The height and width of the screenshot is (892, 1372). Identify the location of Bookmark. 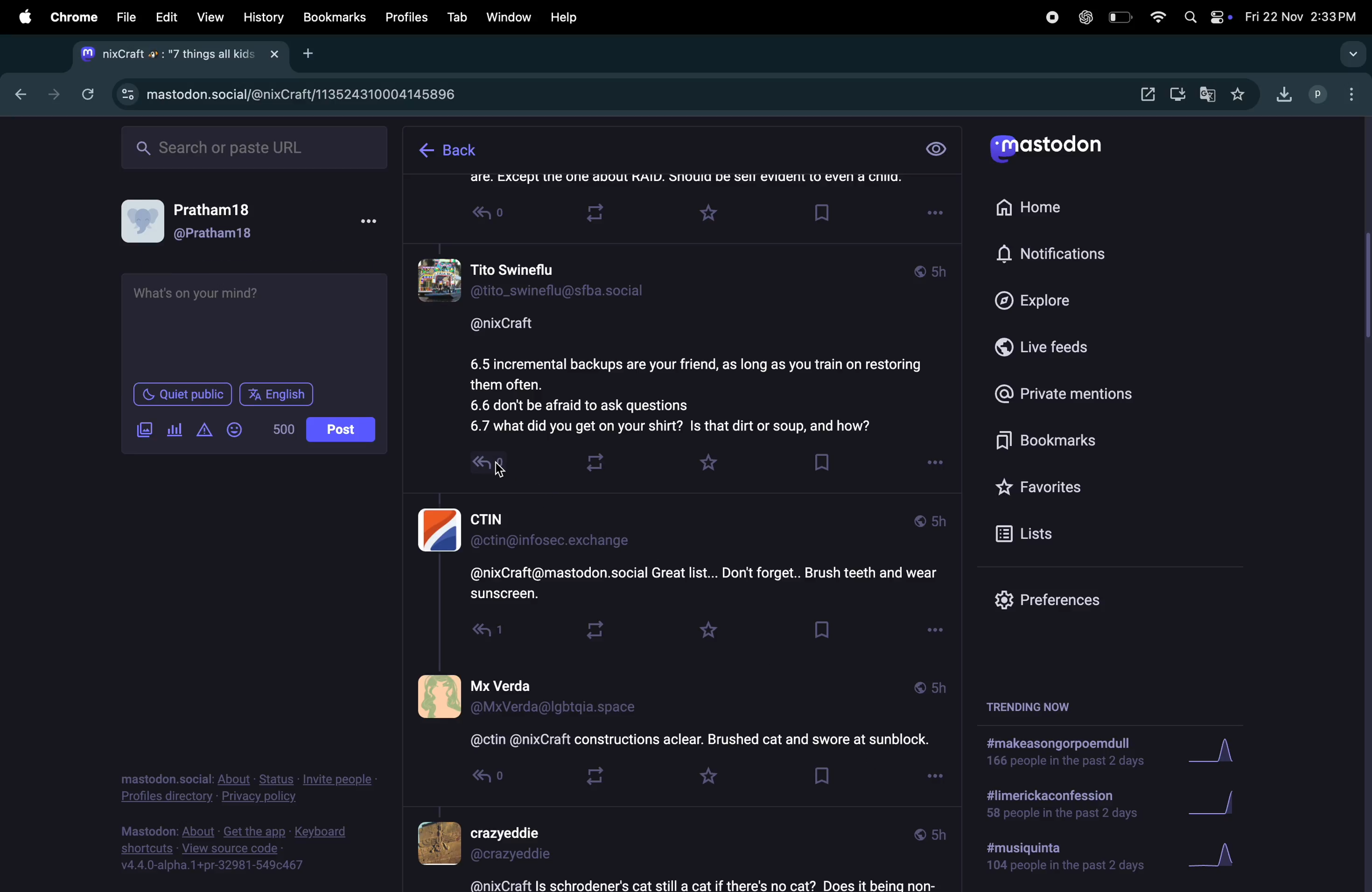
(823, 213).